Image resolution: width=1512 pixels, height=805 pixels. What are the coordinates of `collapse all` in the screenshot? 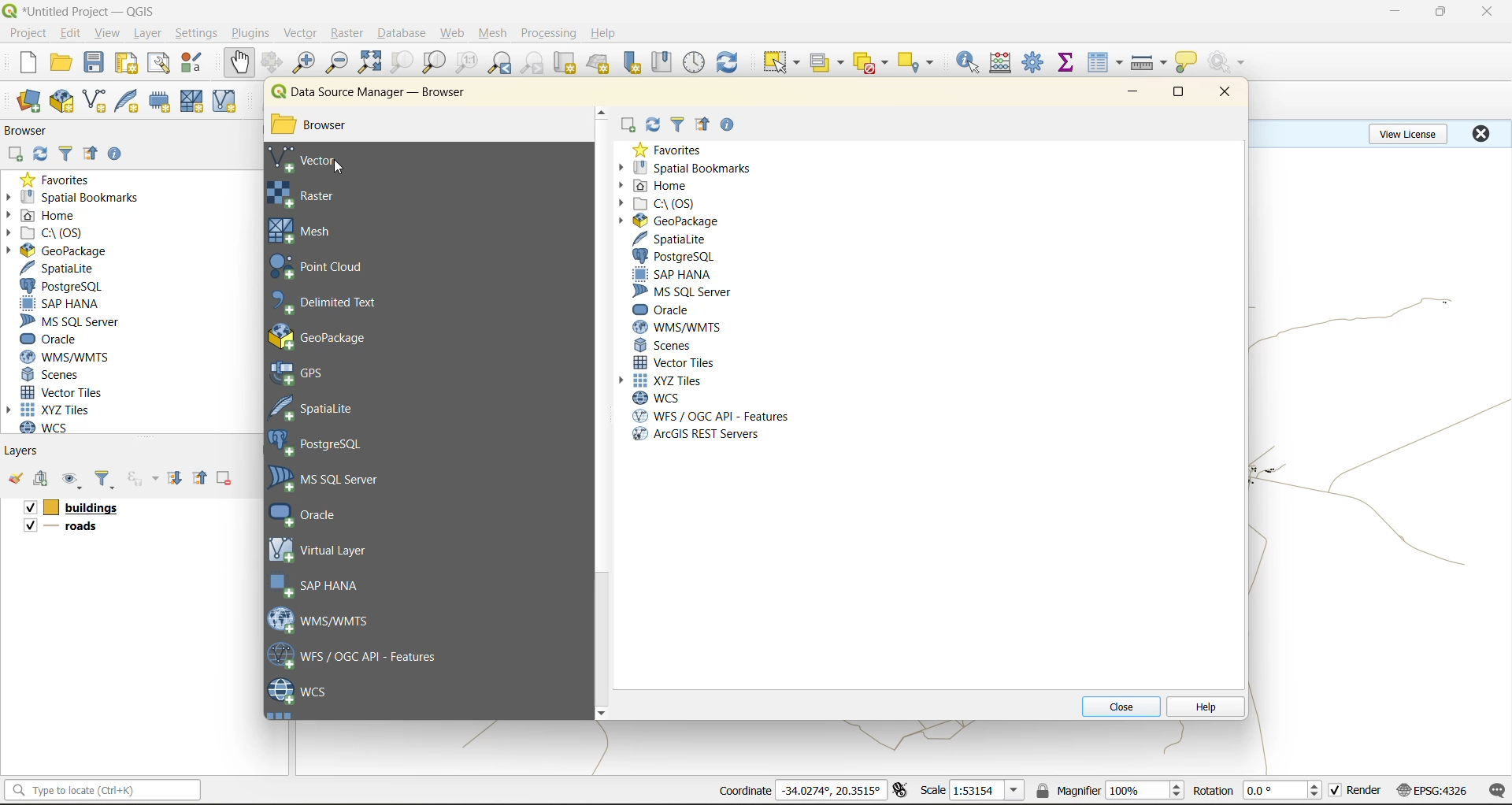 It's located at (202, 478).